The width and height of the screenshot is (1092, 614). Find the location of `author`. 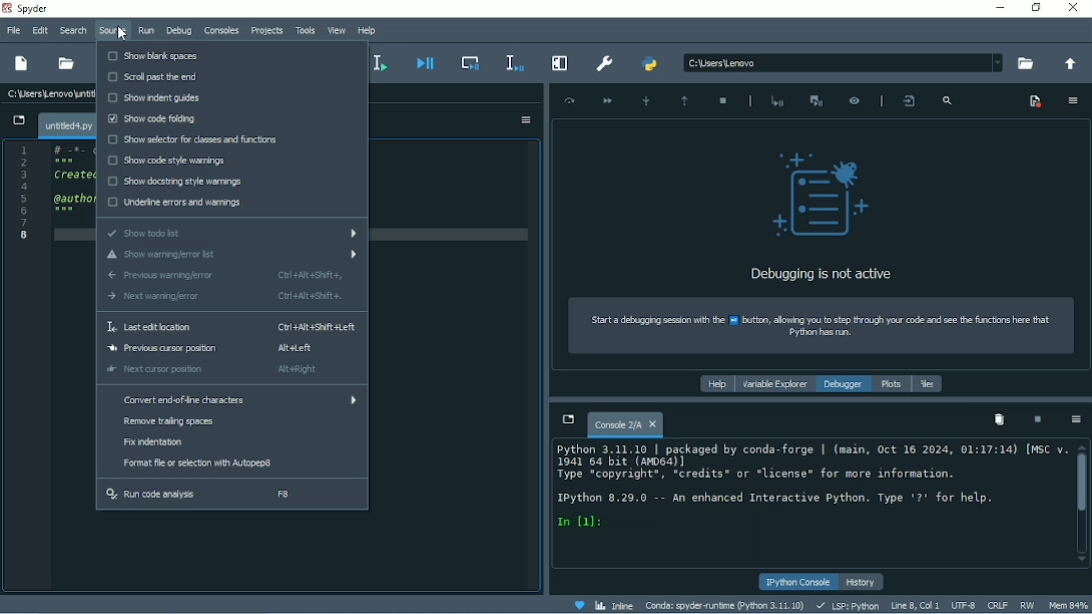

author is located at coordinates (70, 202).